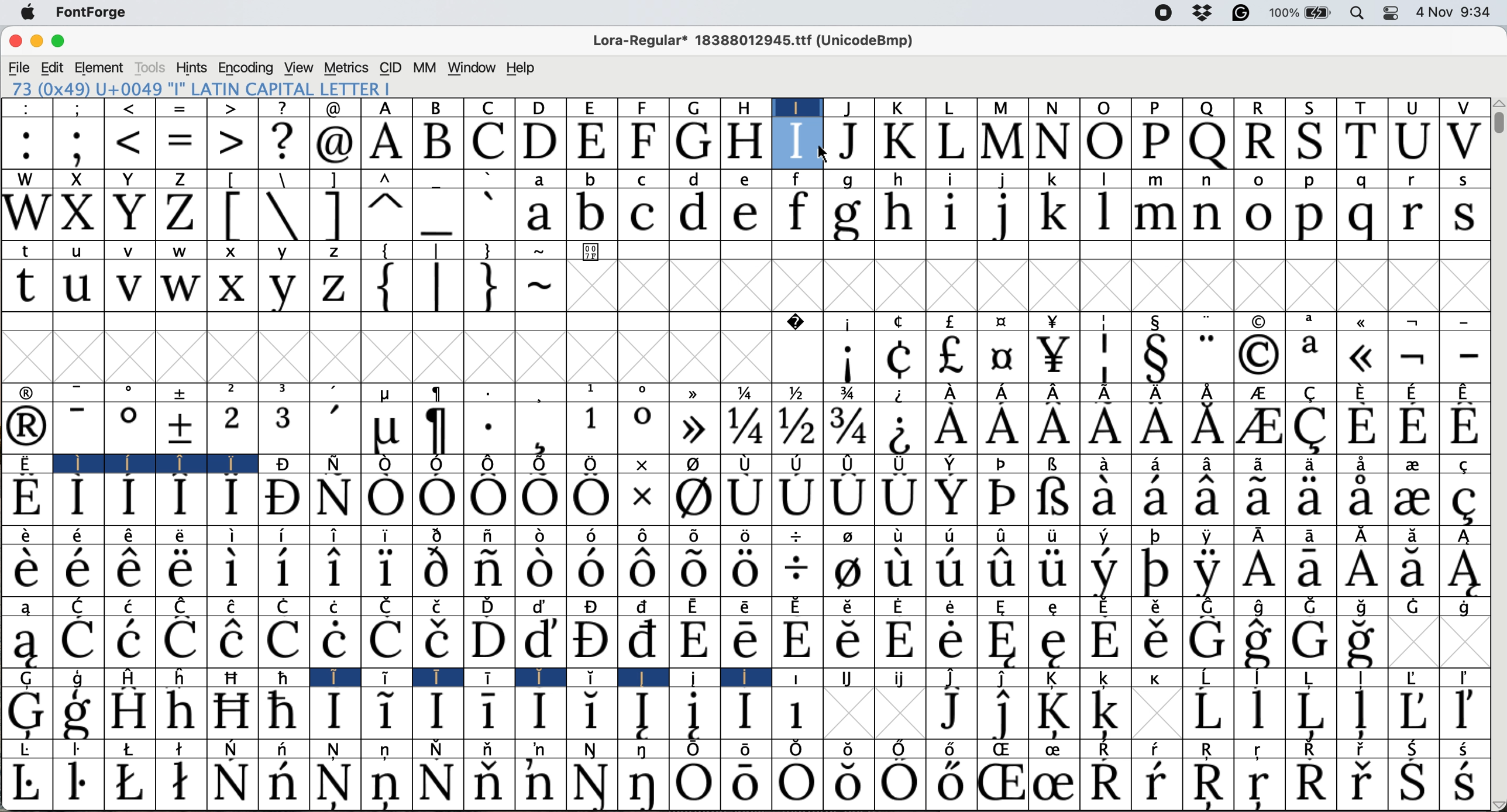 This screenshot has height=812, width=1507. What do you see at coordinates (130, 782) in the screenshot?
I see `Symbol` at bounding box center [130, 782].